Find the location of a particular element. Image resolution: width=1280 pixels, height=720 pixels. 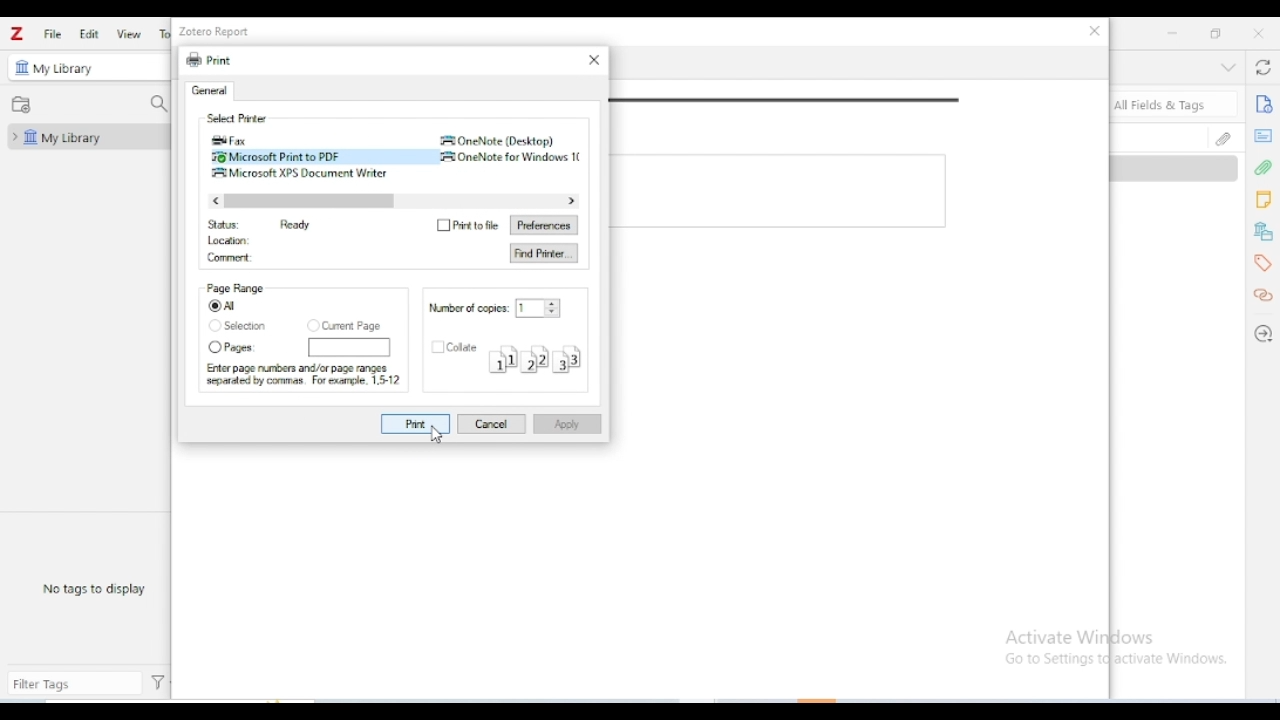

page numbers input is located at coordinates (351, 348).